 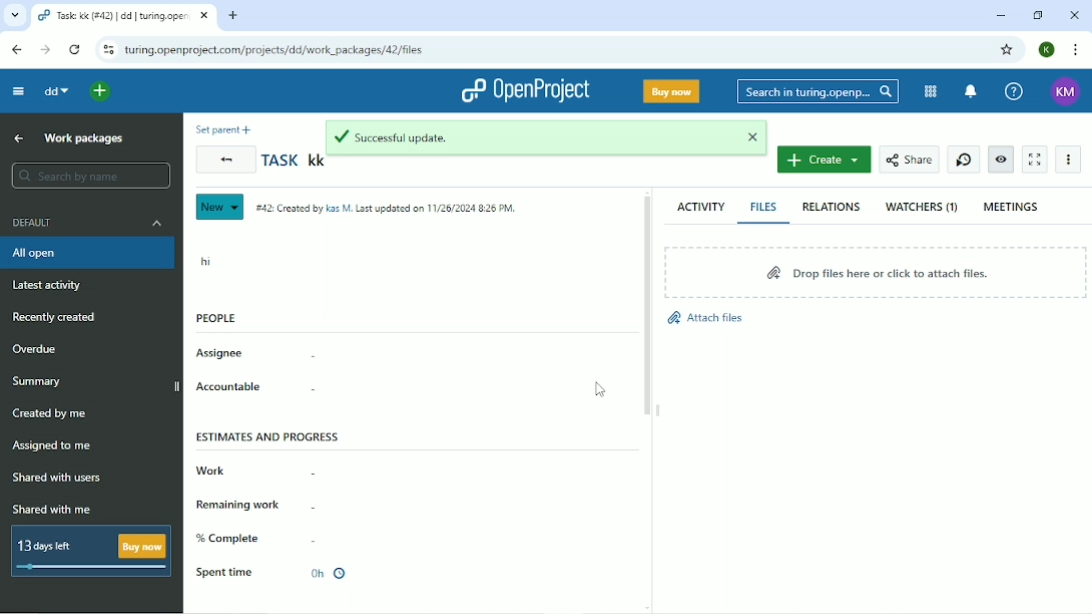 What do you see at coordinates (37, 350) in the screenshot?
I see `Overdue` at bounding box center [37, 350].